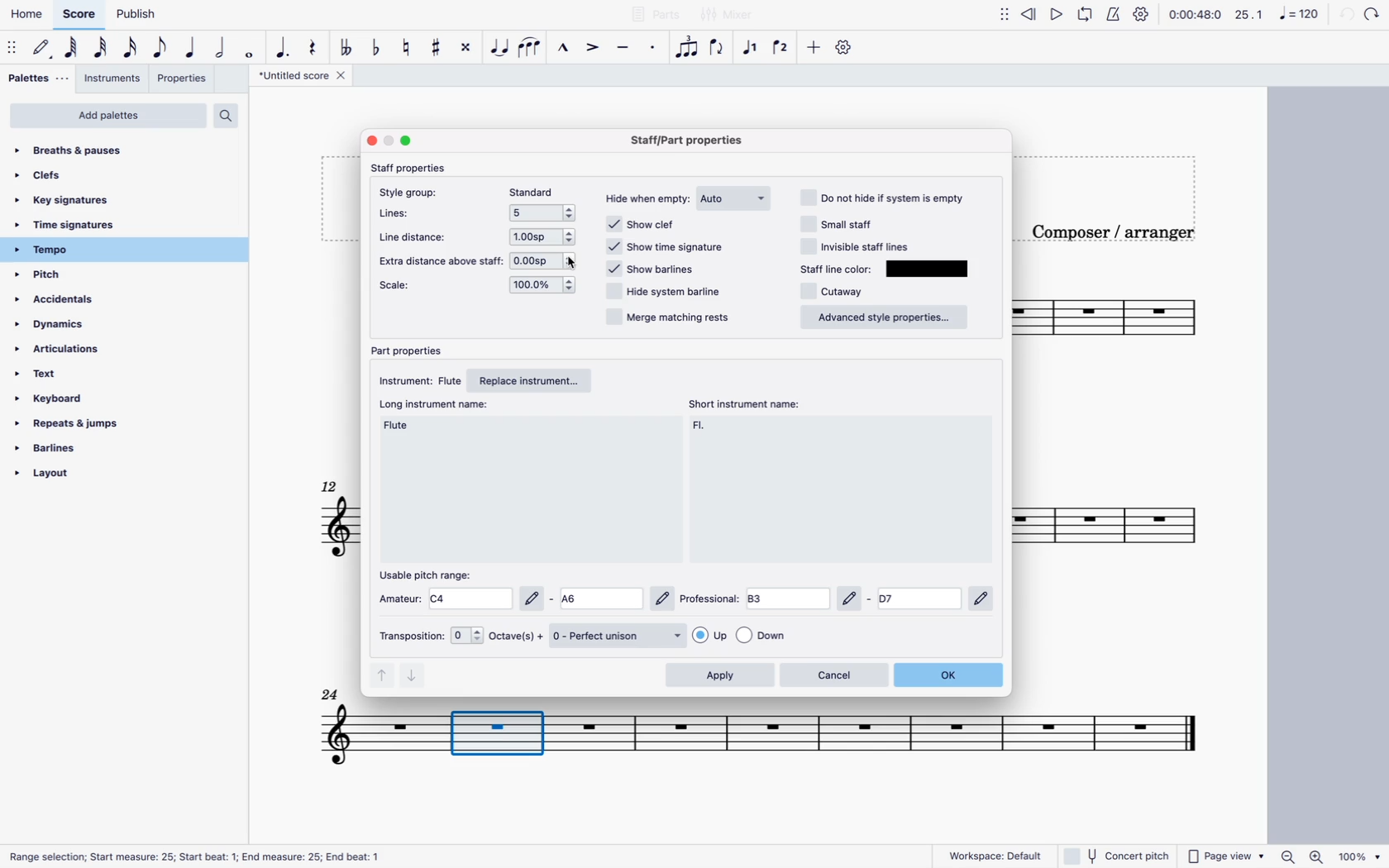 The width and height of the screenshot is (1389, 868). What do you see at coordinates (727, 16) in the screenshot?
I see `mixer` at bounding box center [727, 16].